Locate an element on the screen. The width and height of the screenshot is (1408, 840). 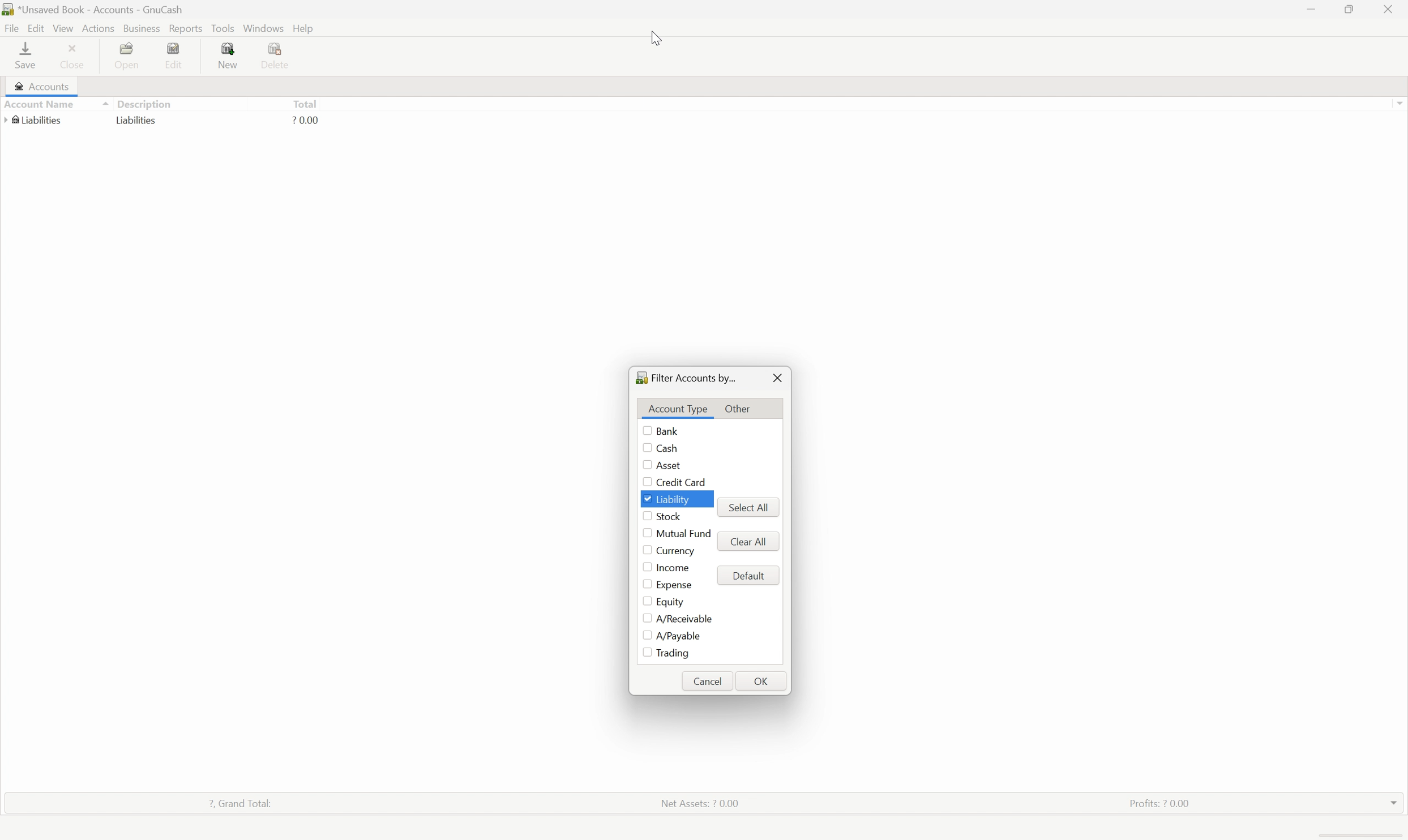
Expense is located at coordinates (674, 585).